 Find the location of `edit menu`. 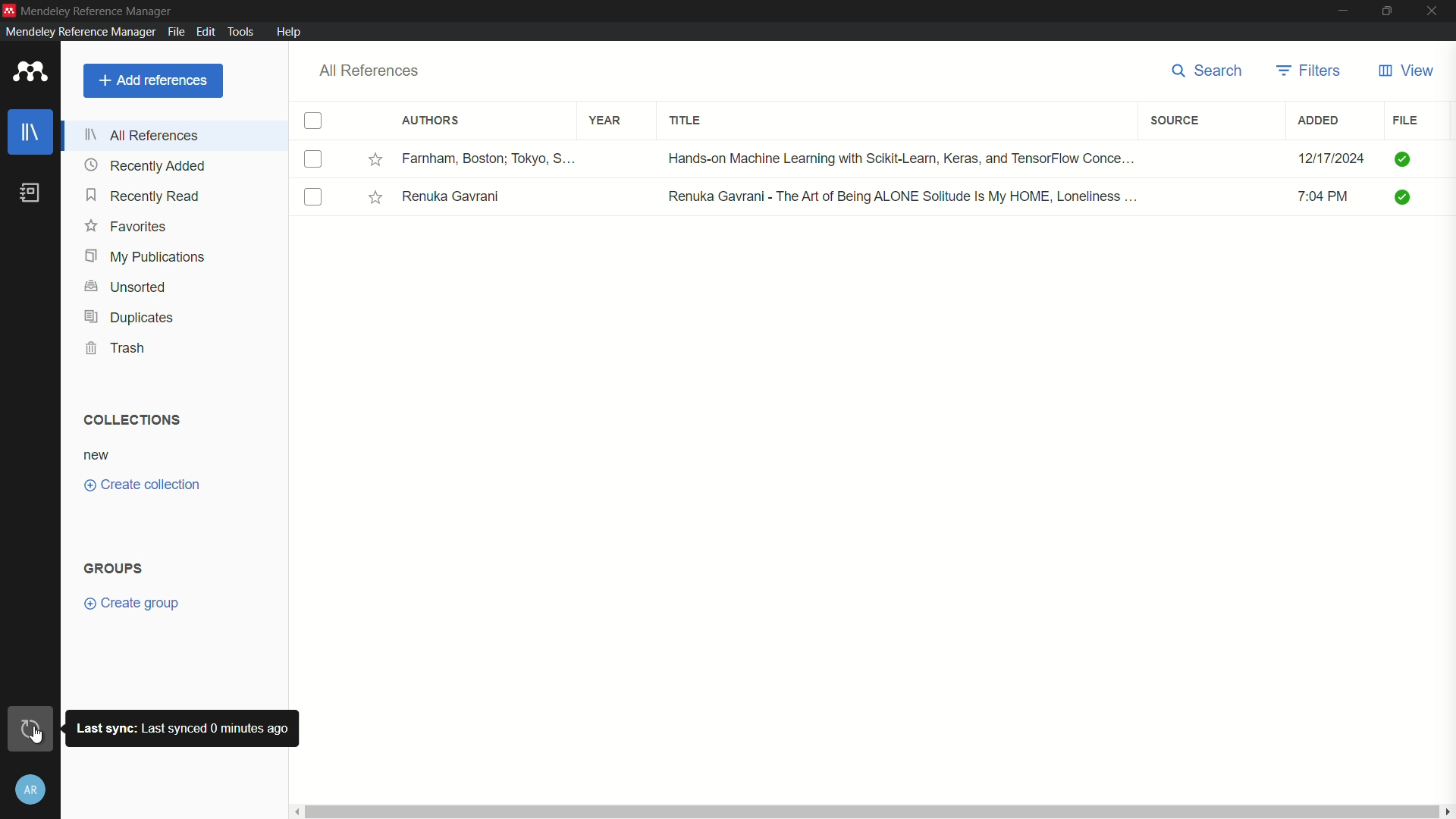

edit menu is located at coordinates (204, 30).